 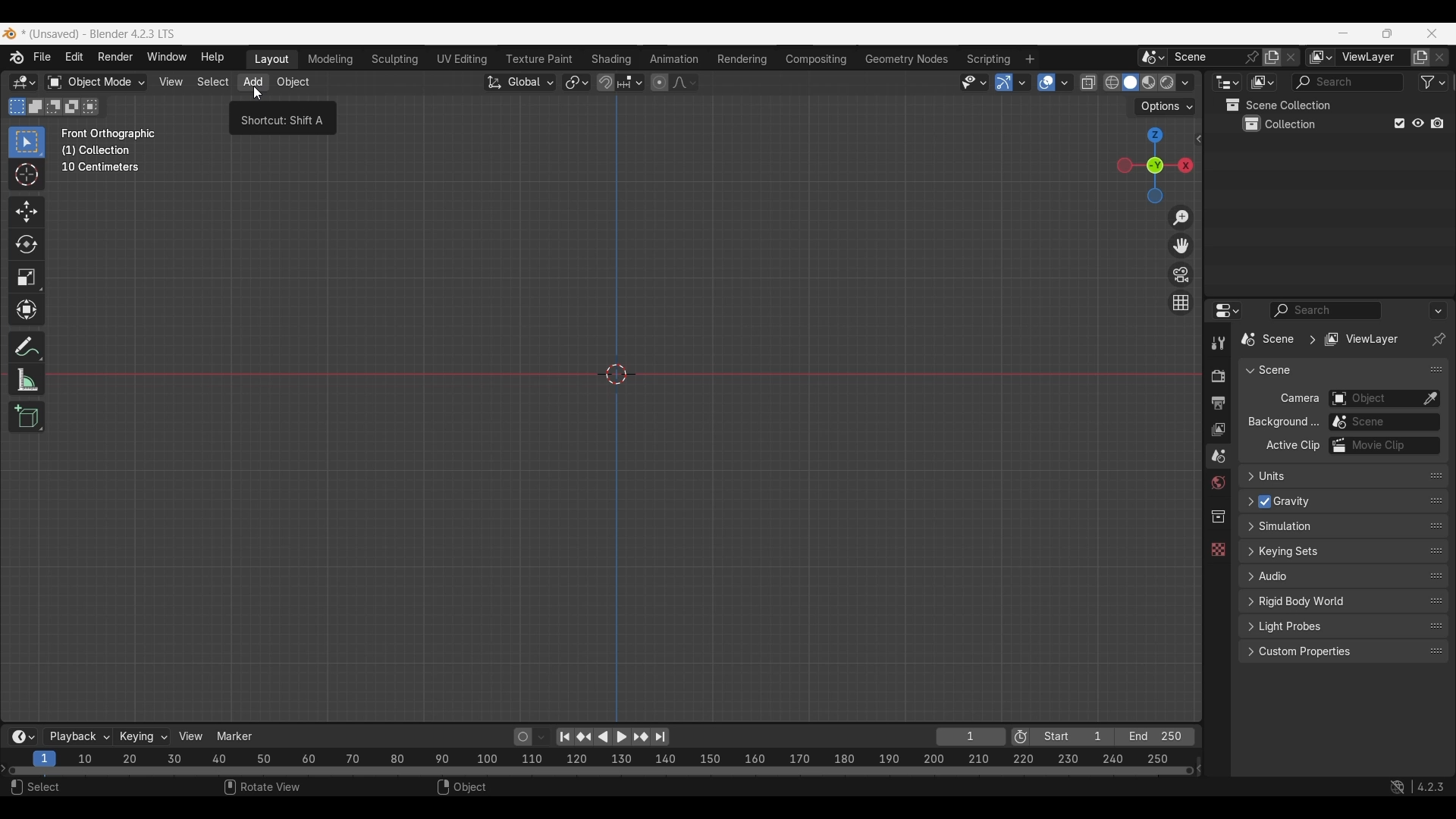 What do you see at coordinates (576, 83) in the screenshot?
I see `Transform pivot point` at bounding box center [576, 83].